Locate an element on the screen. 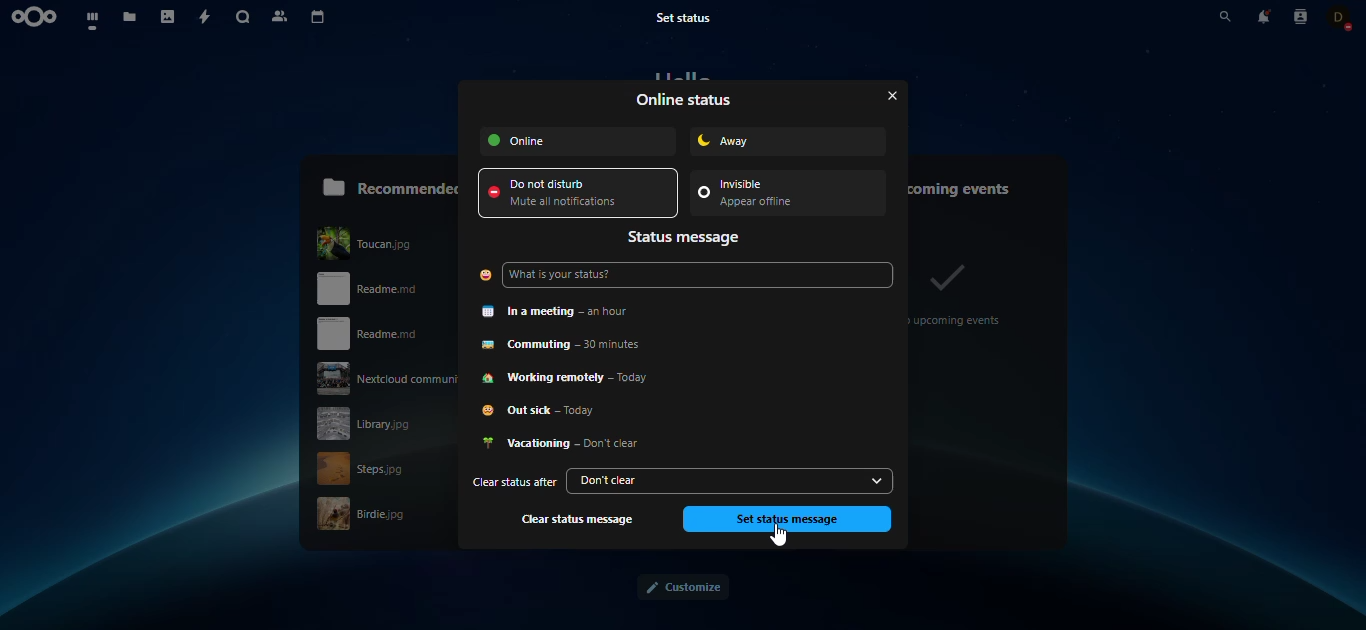 The width and height of the screenshot is (1366, 630). read me is located at coordinates (388, 289).